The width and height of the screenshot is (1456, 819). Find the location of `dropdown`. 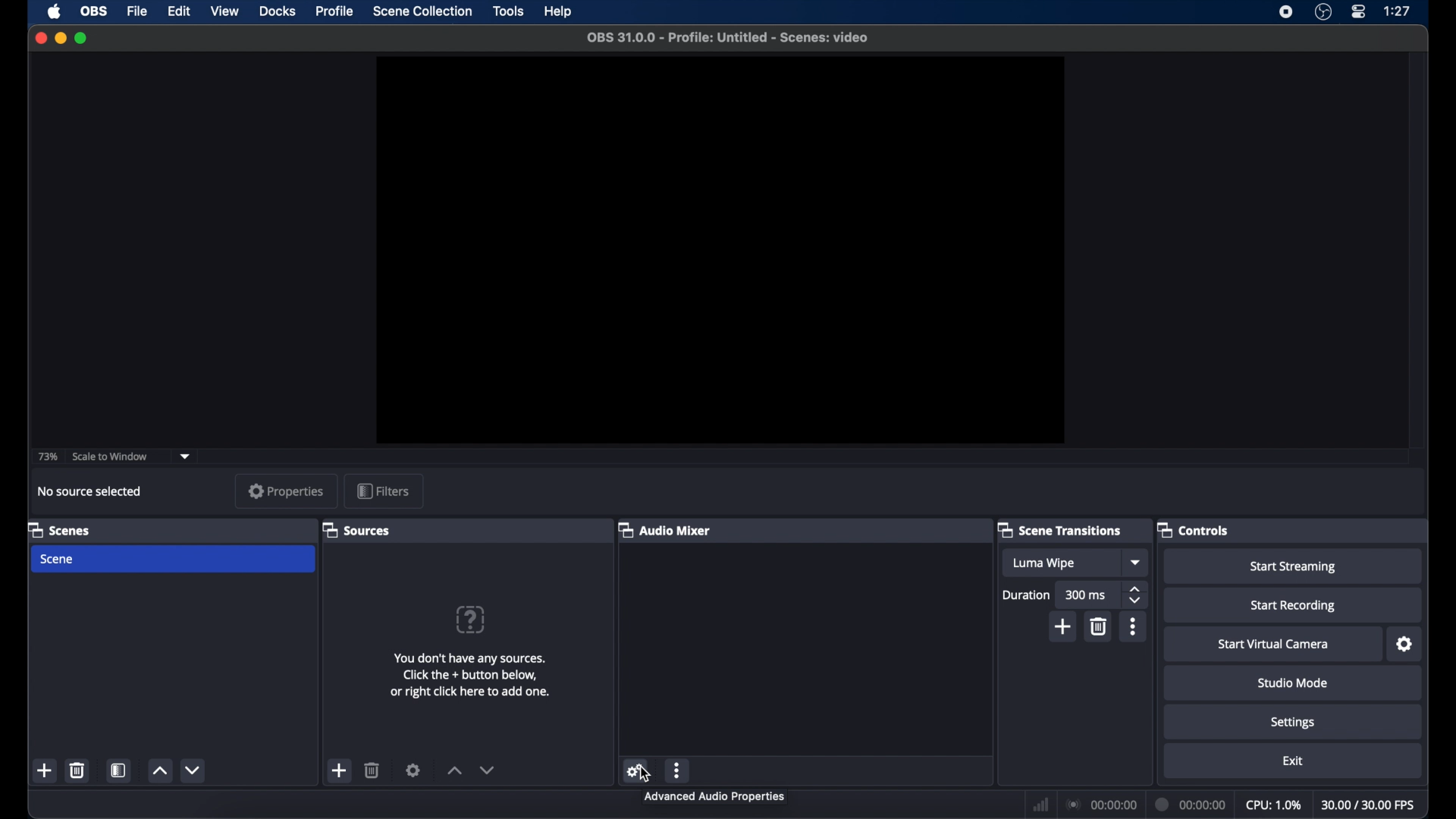

dropdown is located at coordinates (1137, 562).